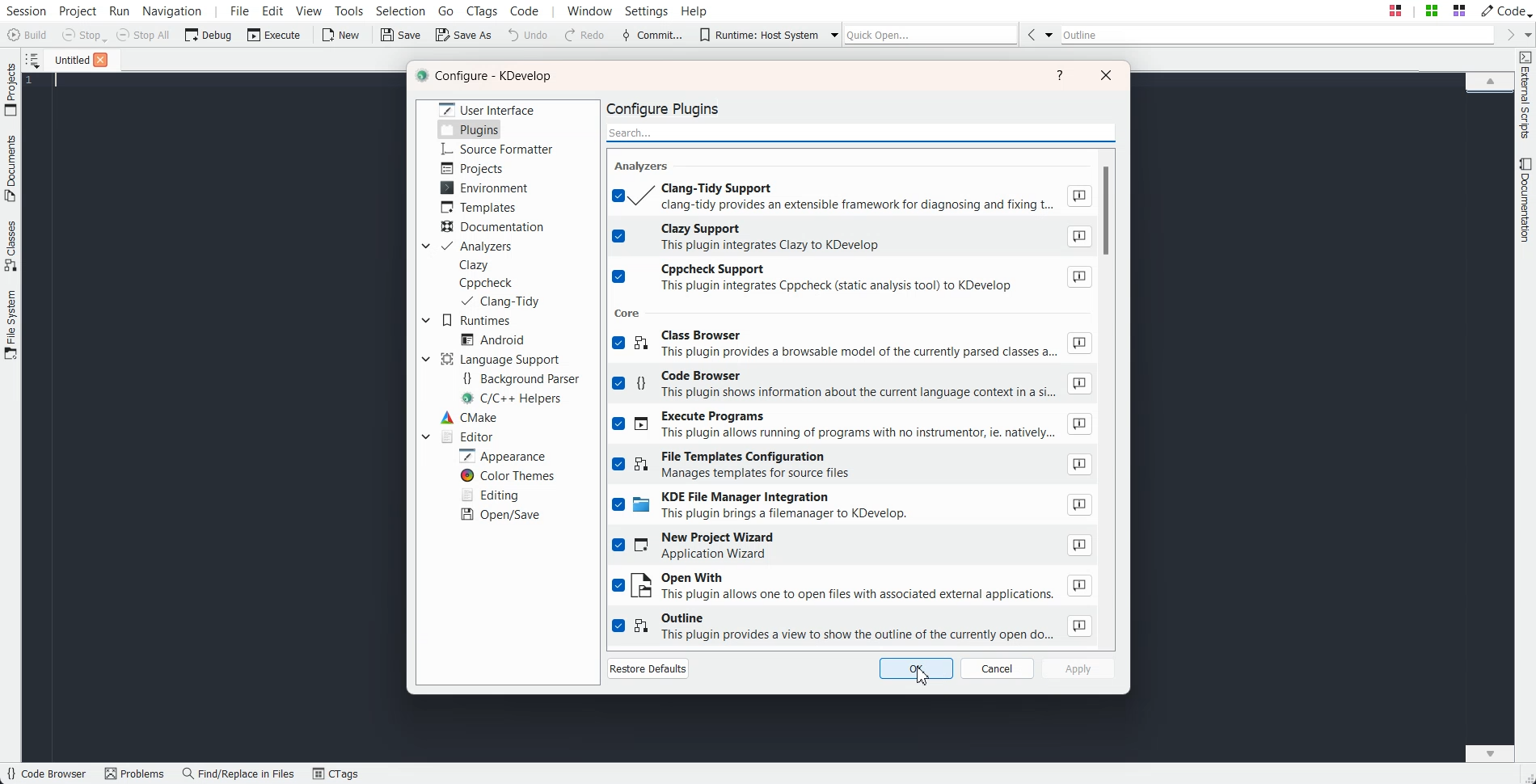 The image size is (1536, 784). Describe the element at coordinates (84, 36) in the screenshot. I see `Stop` at that location.